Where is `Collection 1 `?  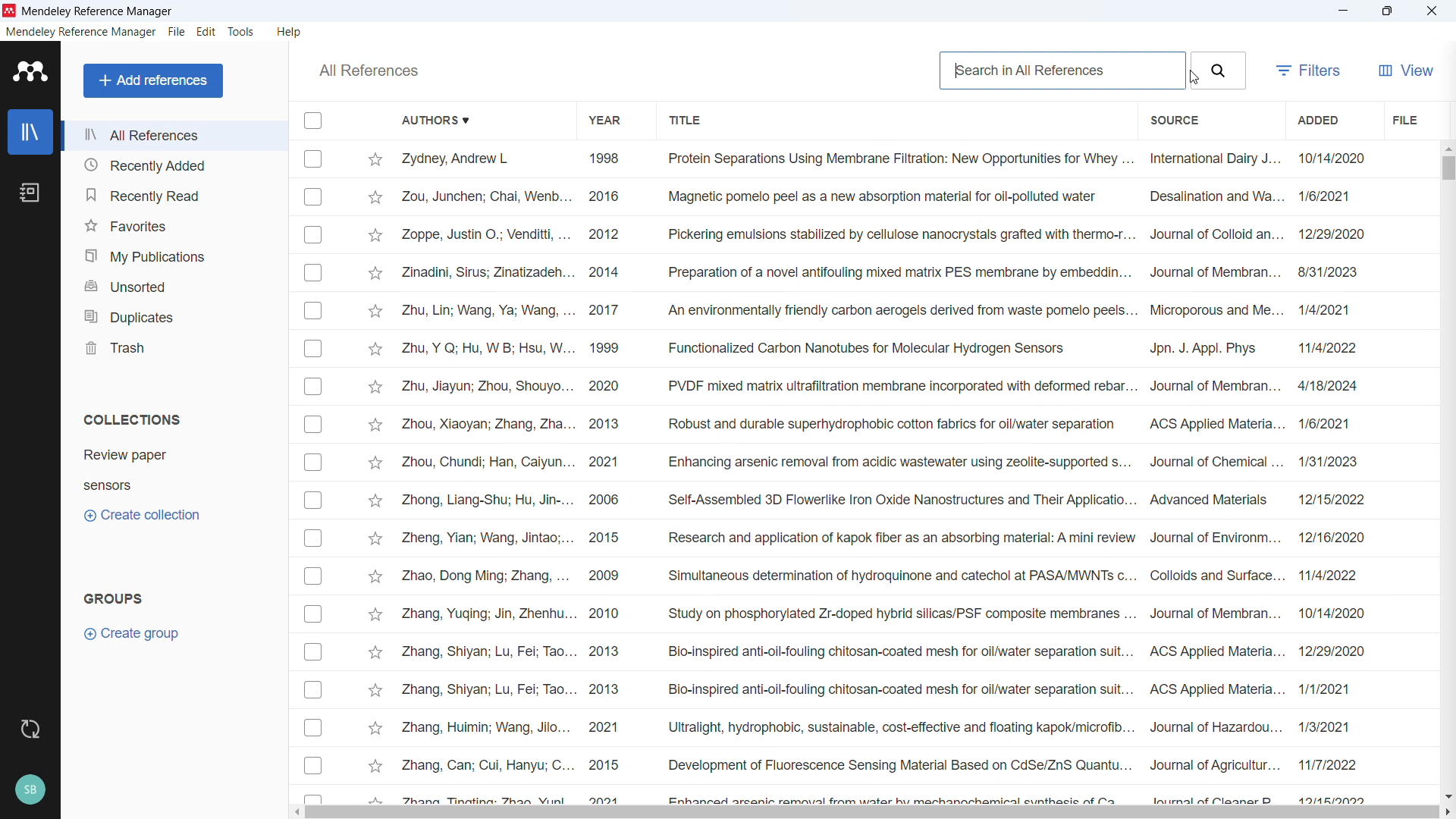
Collection 1  is located at coordinates (125, 454).